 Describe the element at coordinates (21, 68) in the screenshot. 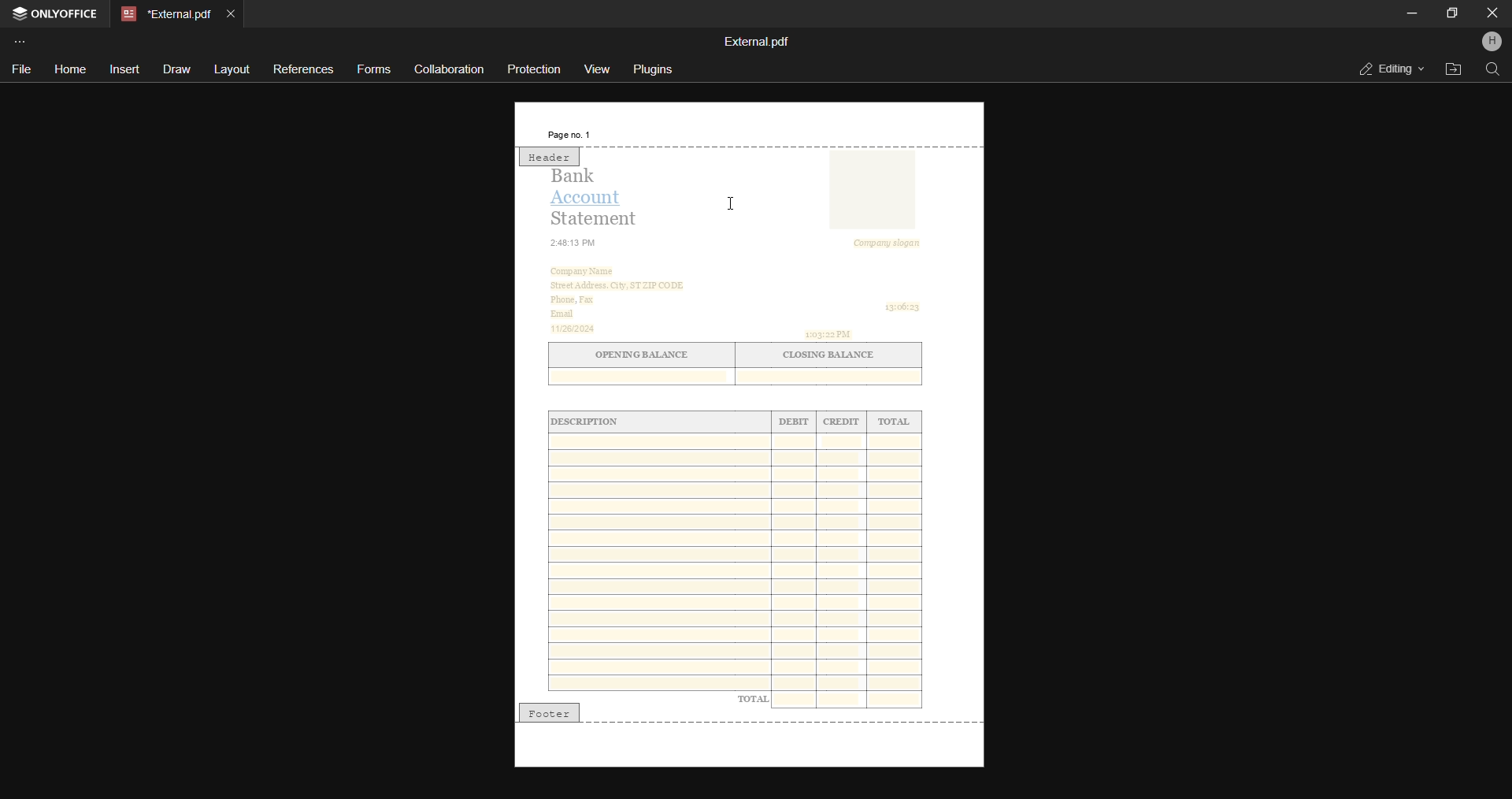

I see `file` at that location.